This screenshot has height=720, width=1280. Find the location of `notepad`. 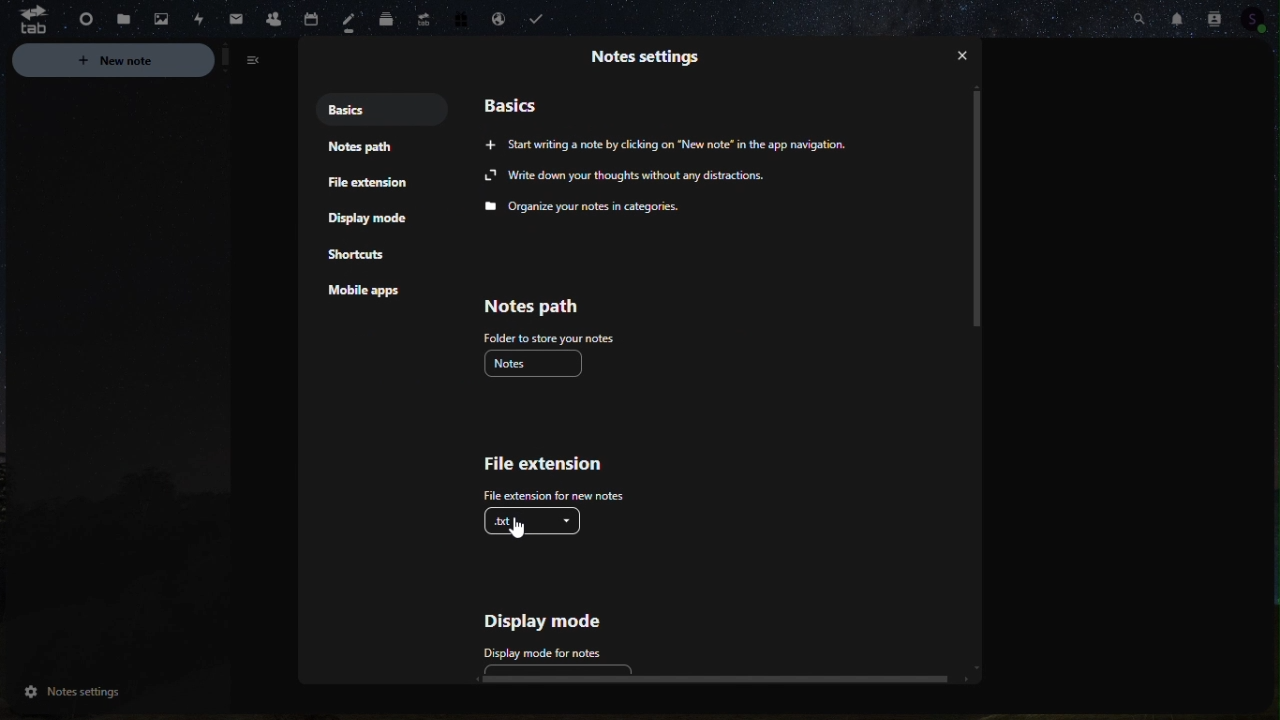

notepad is located at coordinates (367, 148).